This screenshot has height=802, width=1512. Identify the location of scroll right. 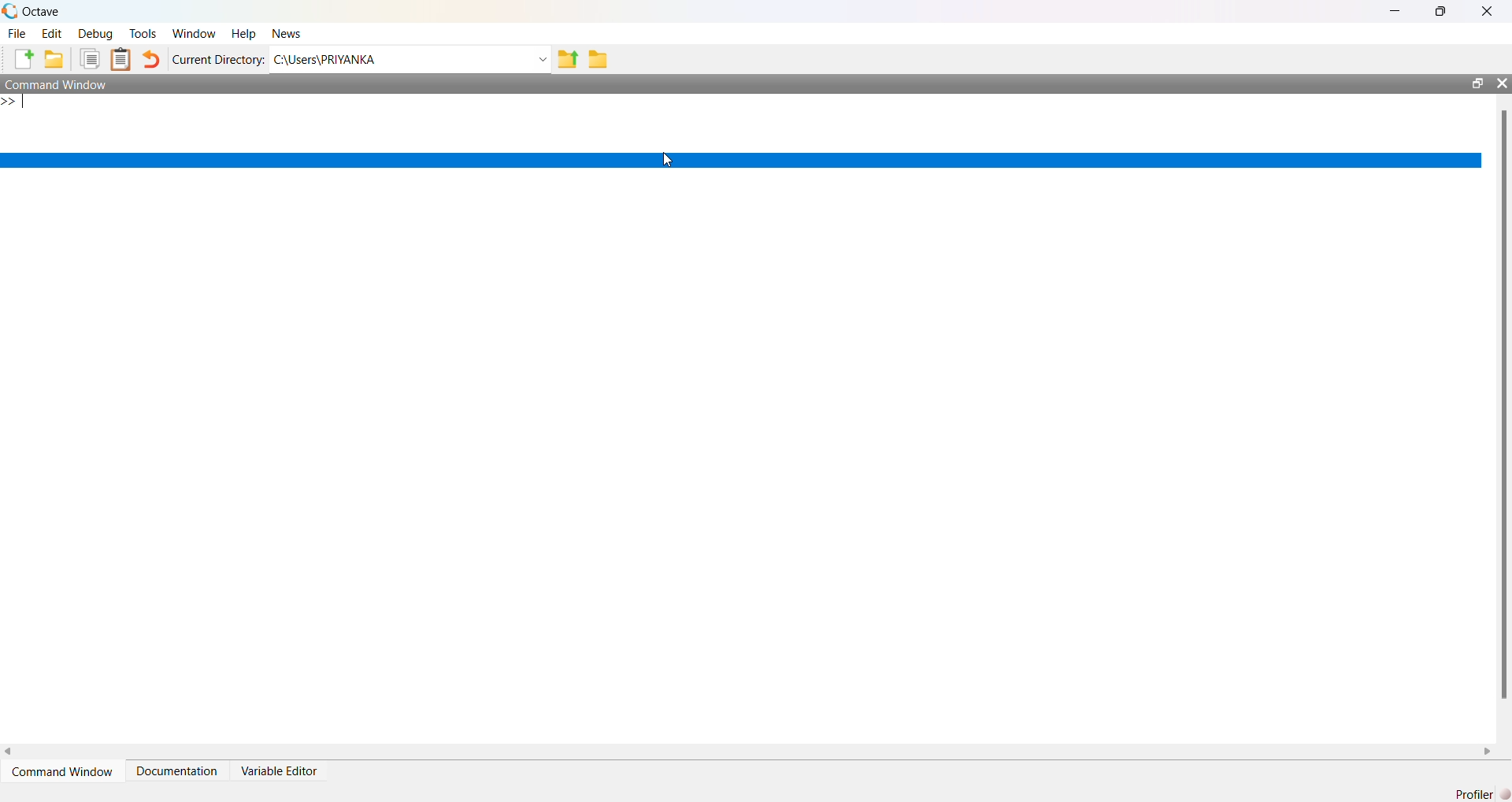
(1488, 752).